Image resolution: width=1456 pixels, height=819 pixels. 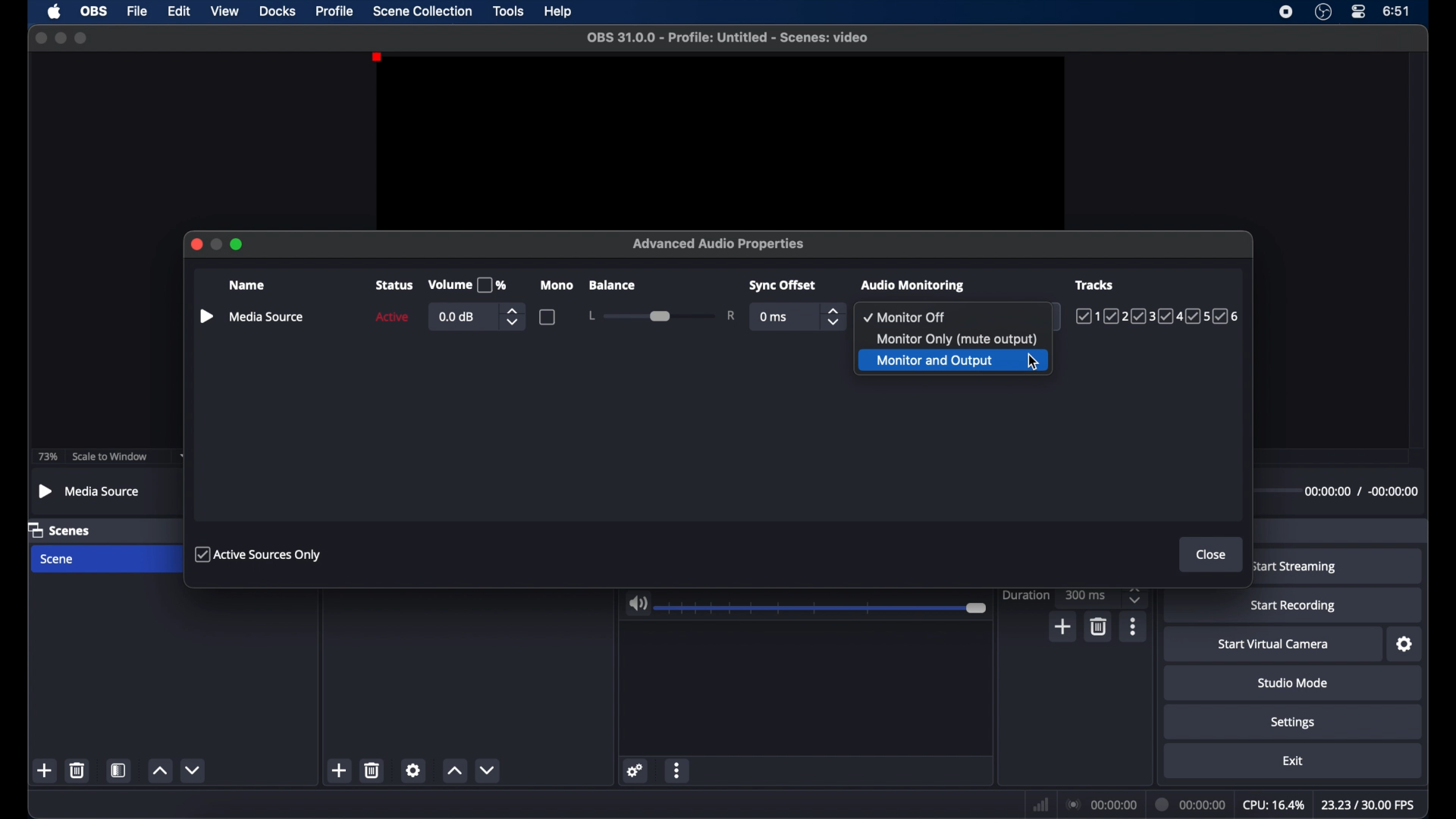 I want to click on maximize, so click(x=237, y=244).